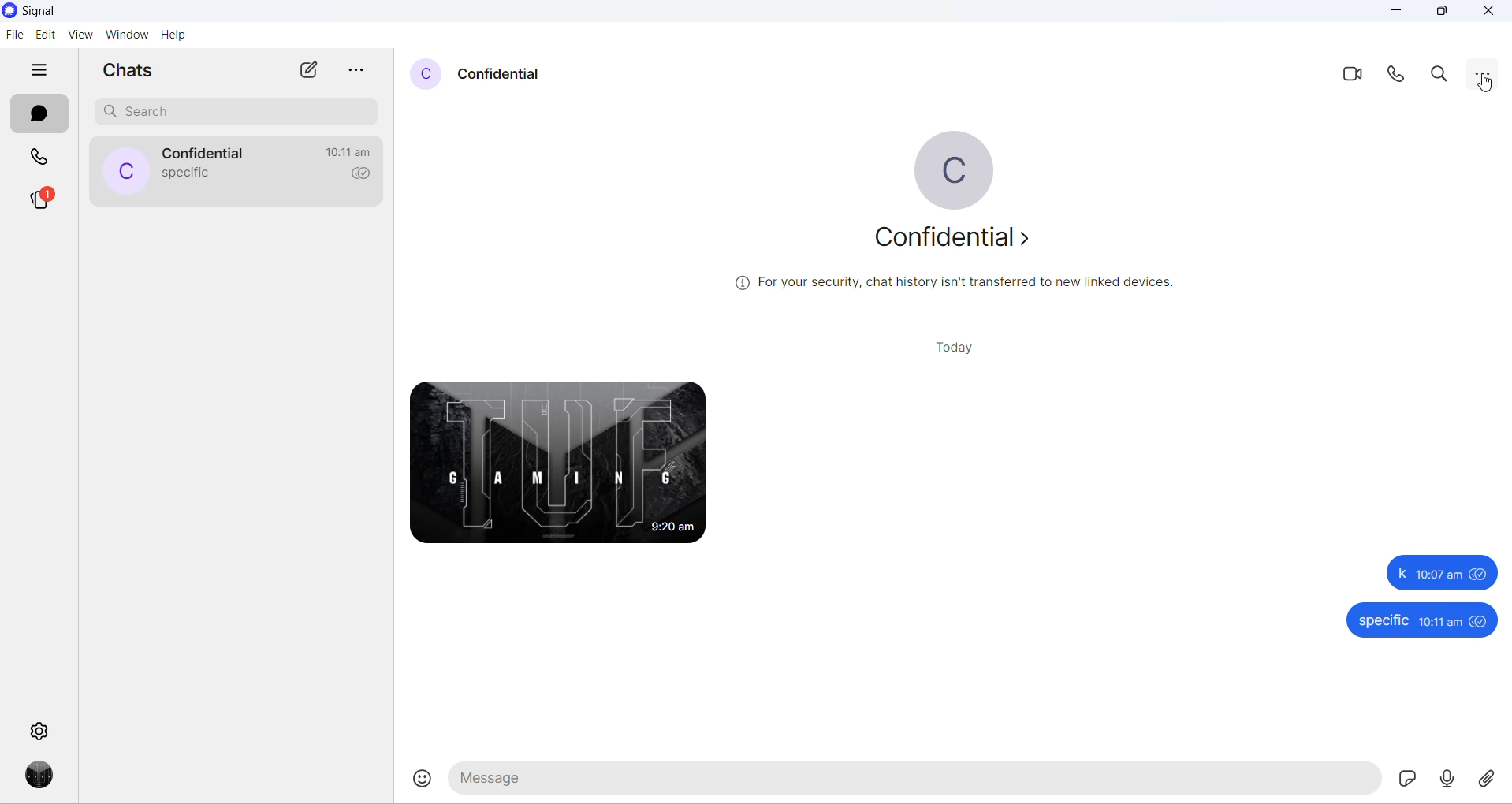  Describe the element at coordinates (1480, 575) in the screenshot. I see `seen` at that location.